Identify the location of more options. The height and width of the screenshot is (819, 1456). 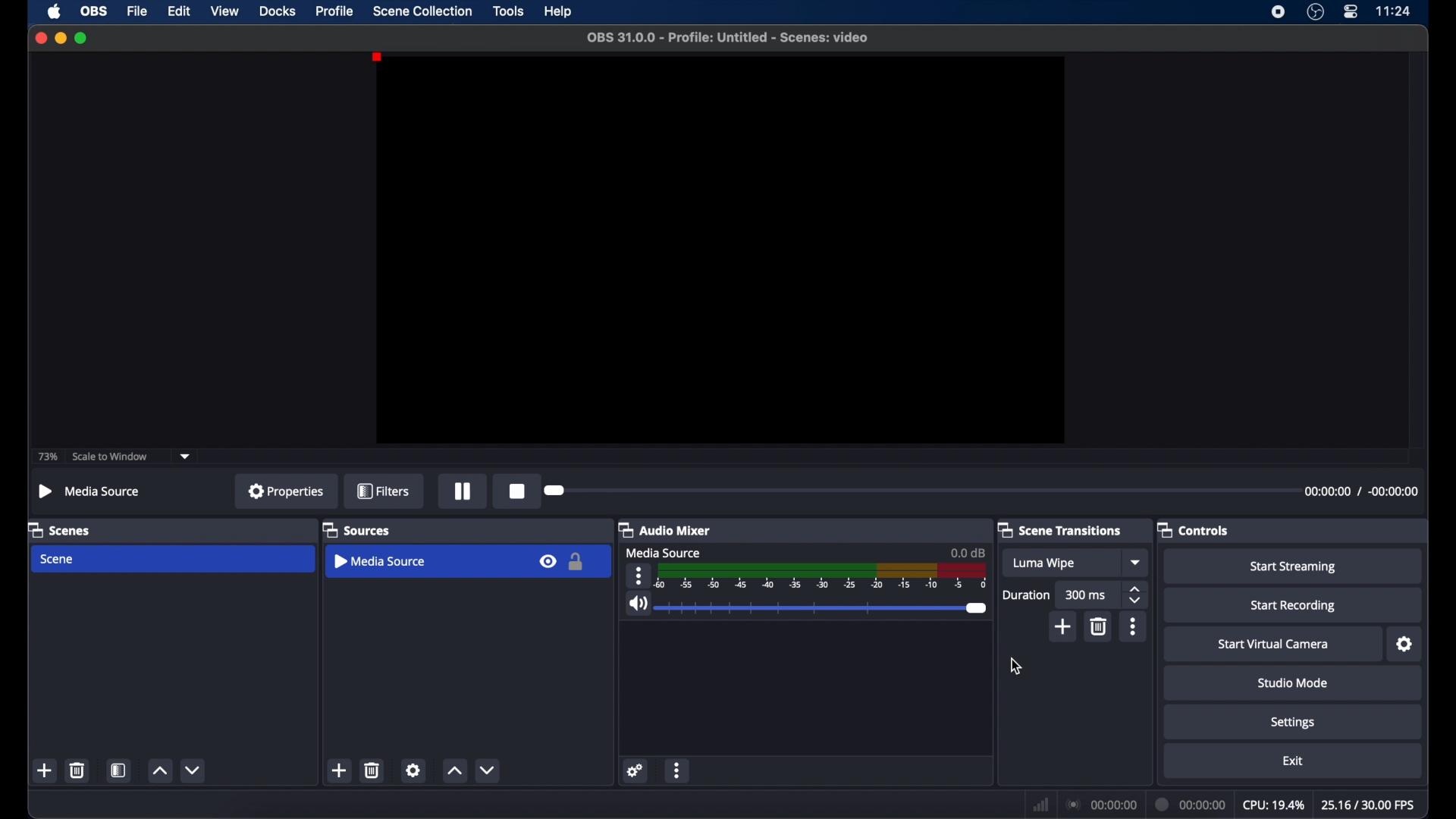
(640, 576).